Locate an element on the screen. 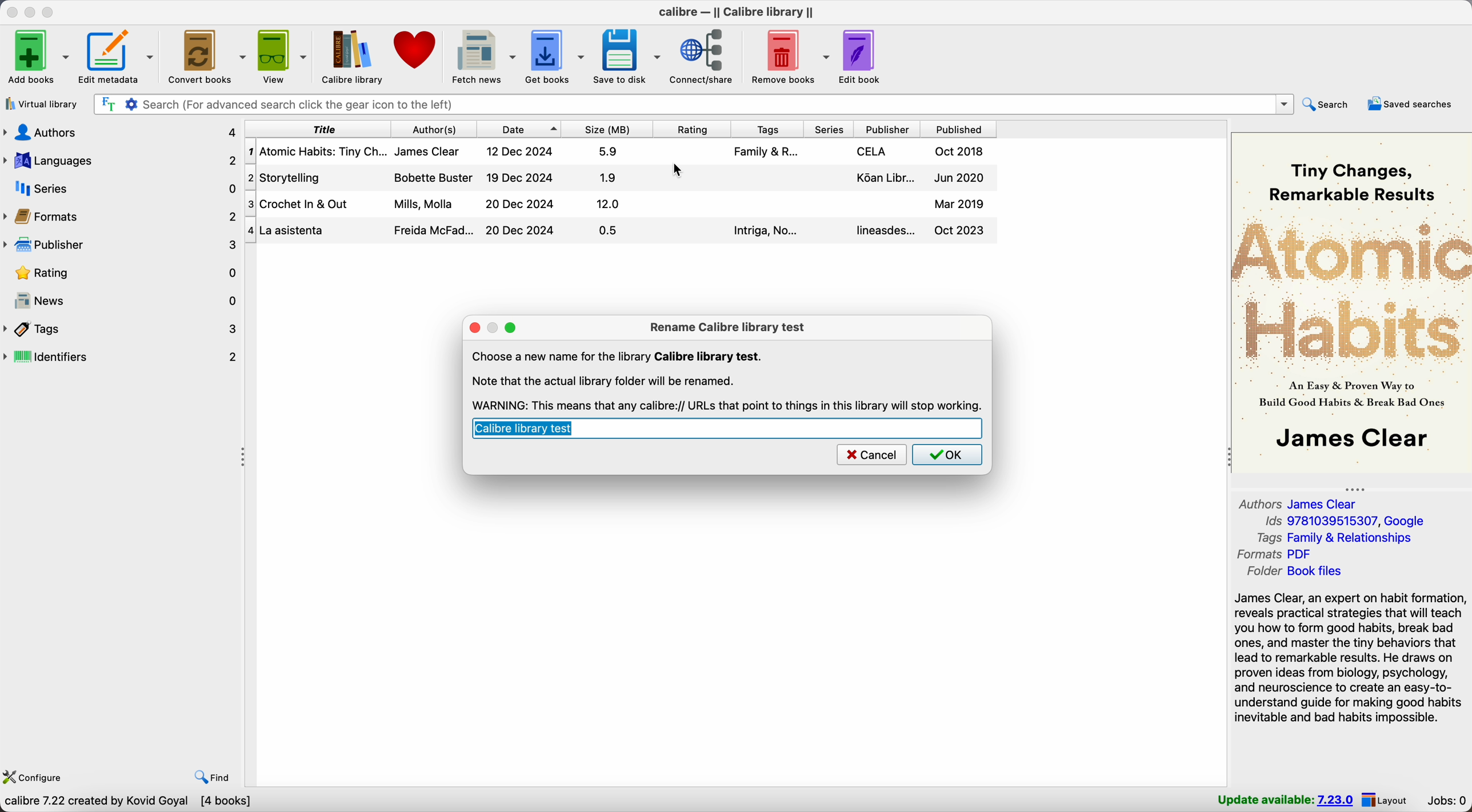  jobs: 0 is located at coordinates (1444, 799).